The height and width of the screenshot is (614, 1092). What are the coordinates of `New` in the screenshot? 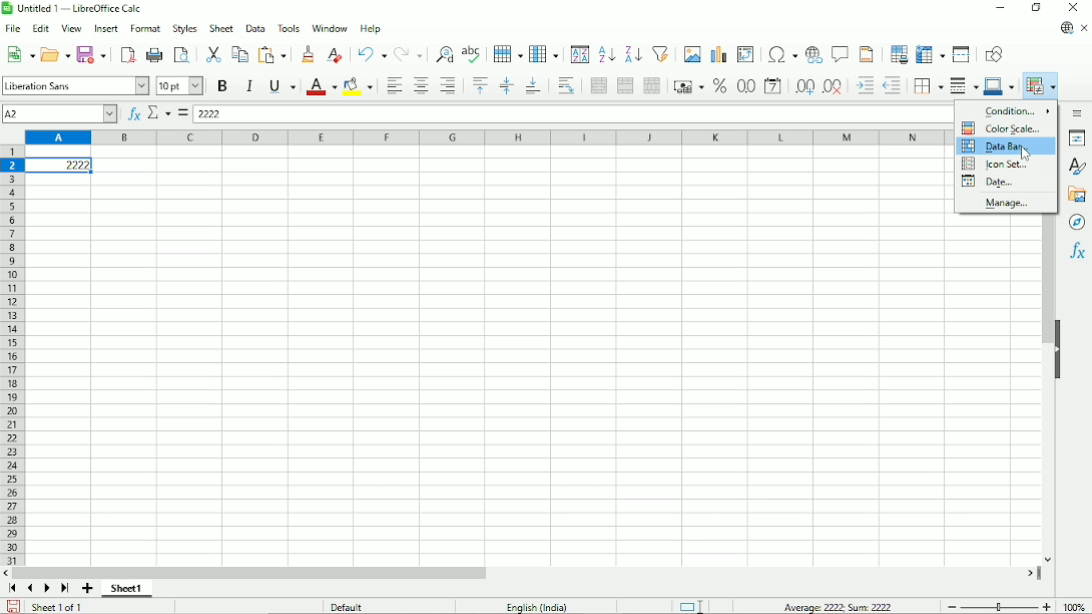 It's located at (19, 54).